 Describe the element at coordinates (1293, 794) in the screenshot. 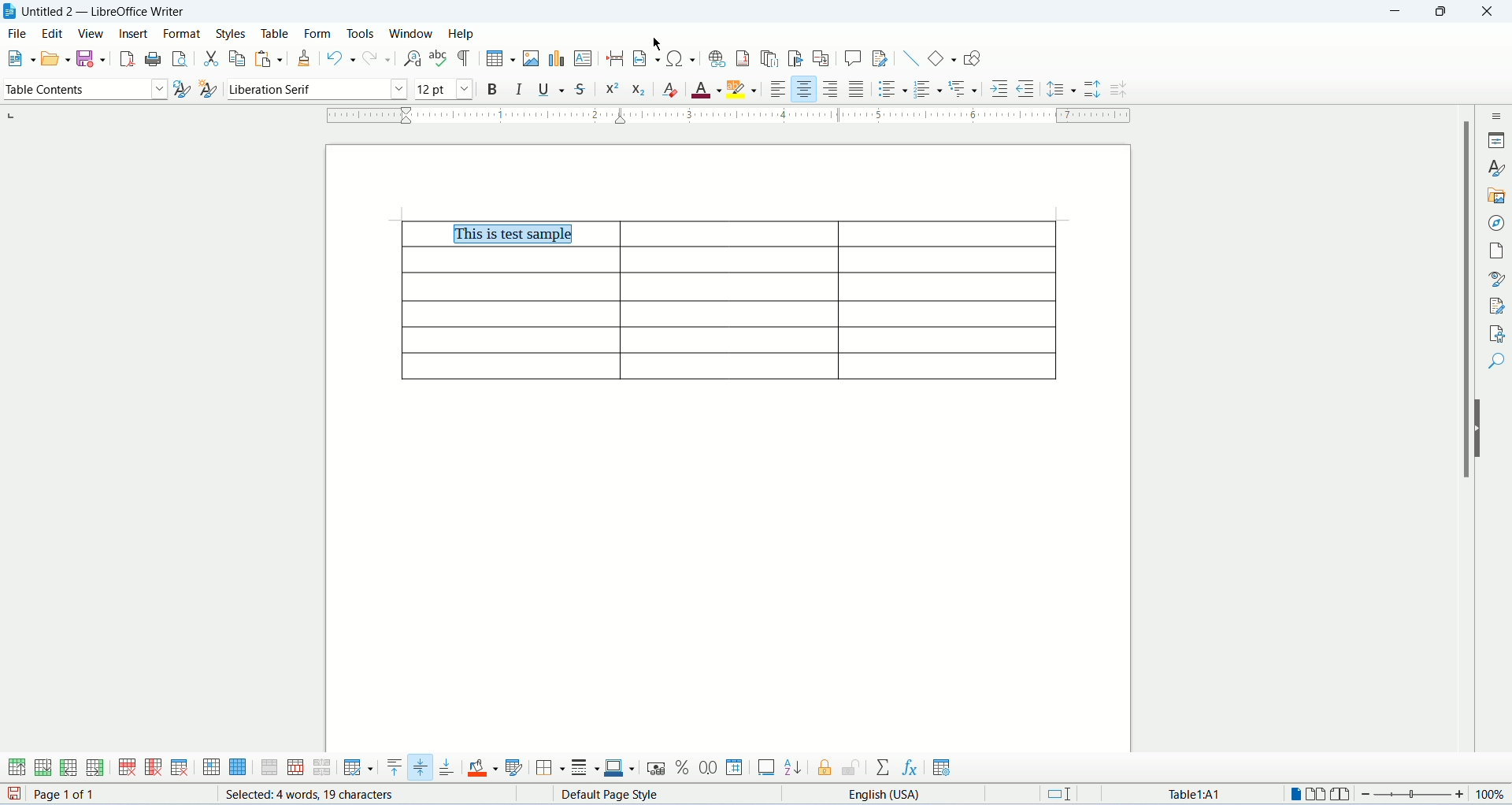

I see `one page view` at that location.